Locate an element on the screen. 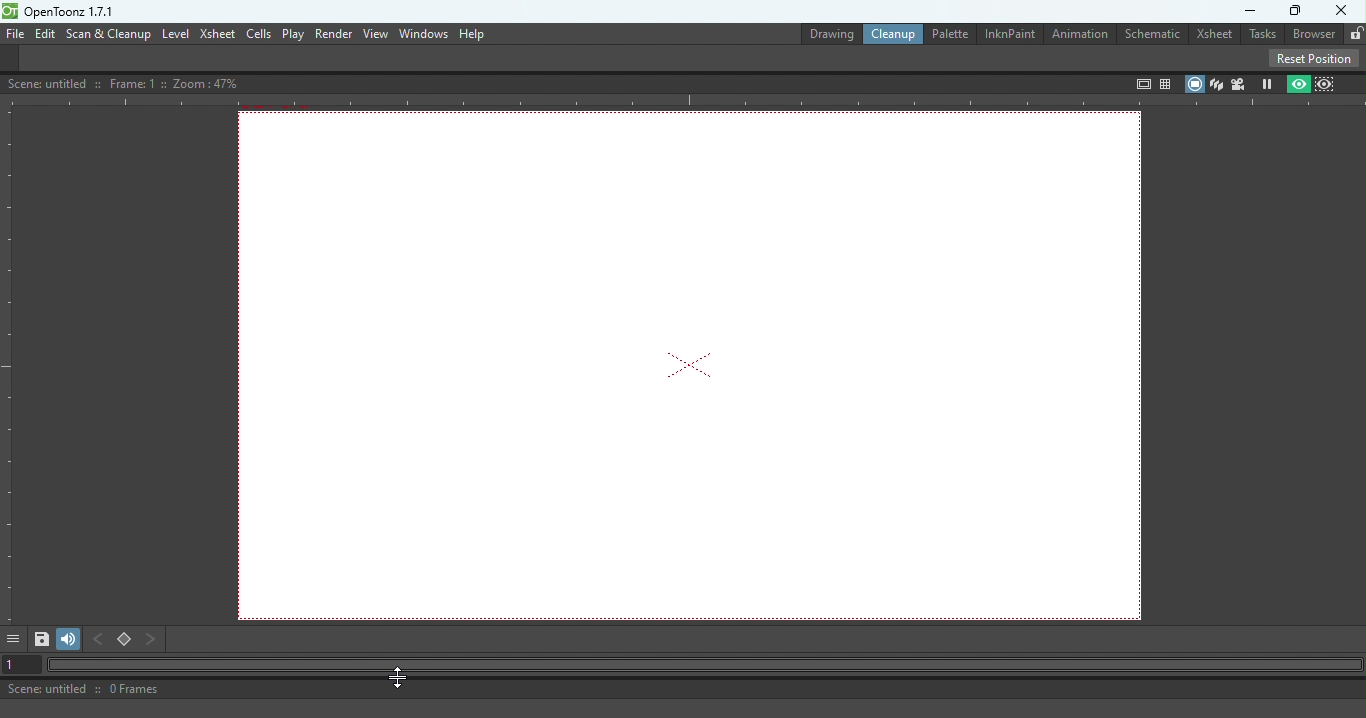 Image resolution: width=1366 pixels, height=718 pixels. Edit is located at coordinates (44, 33).